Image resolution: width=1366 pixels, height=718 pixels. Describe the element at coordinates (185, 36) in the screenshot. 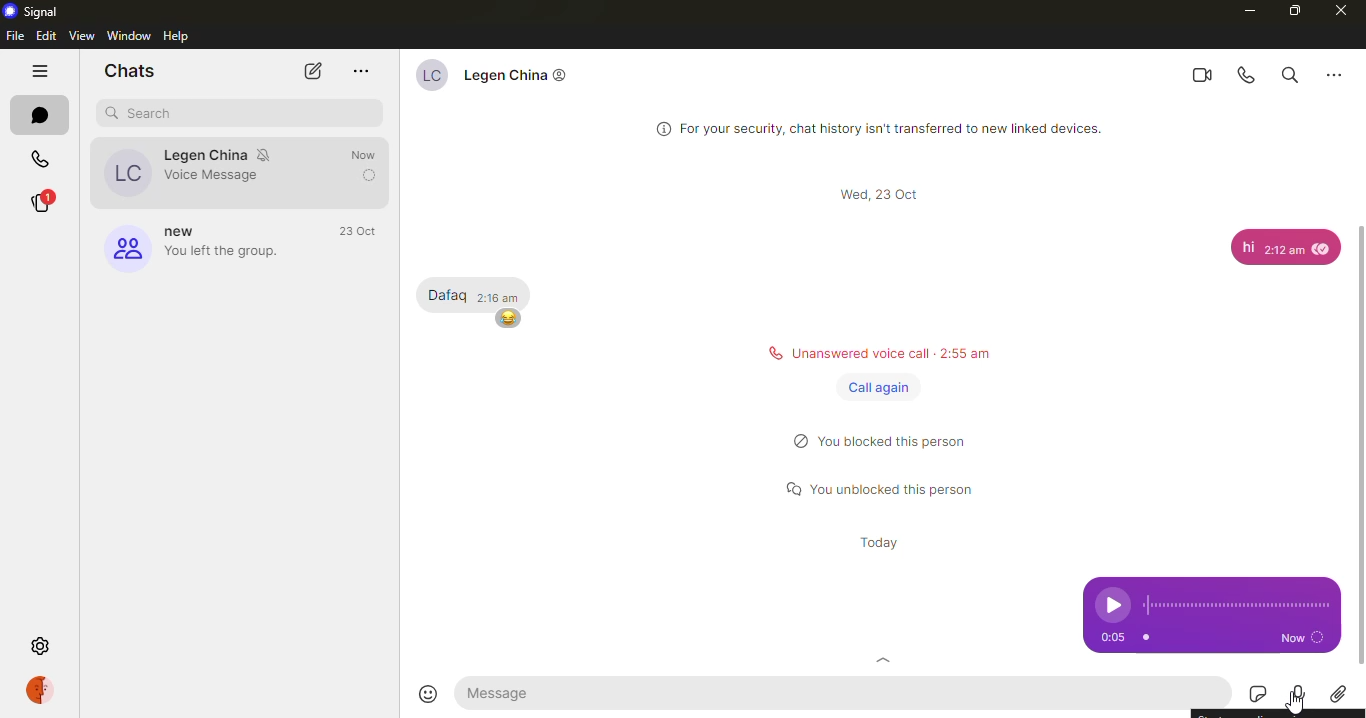

I see `help` at that location.